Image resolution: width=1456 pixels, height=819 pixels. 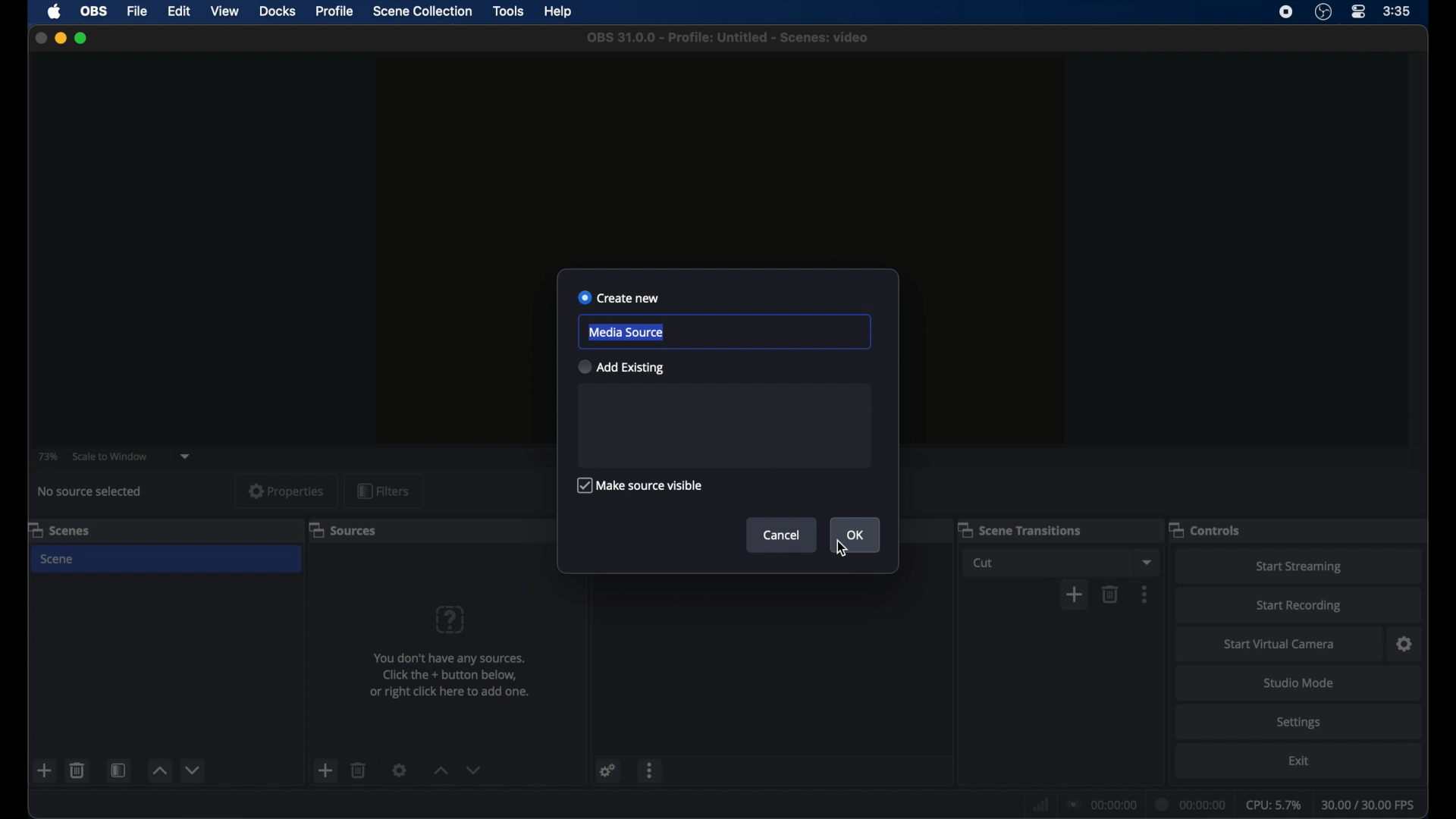 I want to click on Cursor, so click(x=840, y=550).